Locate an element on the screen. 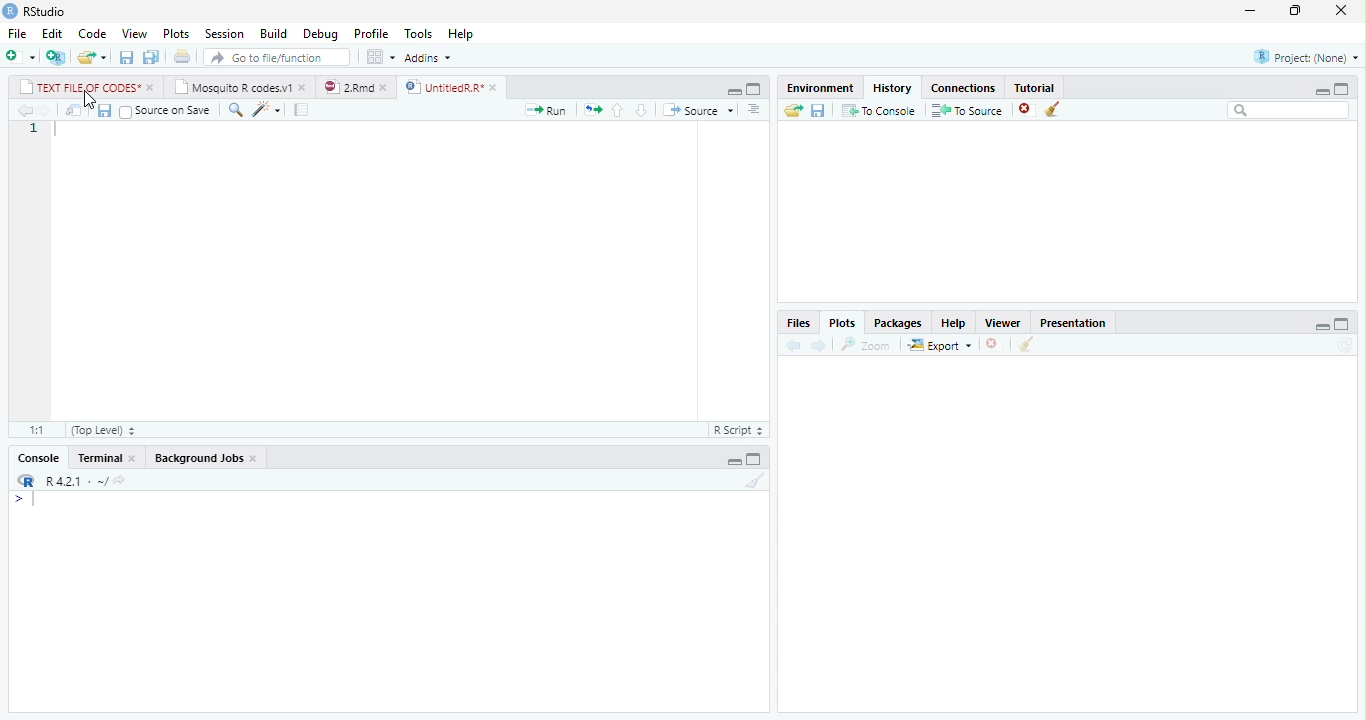 This screenshot has height=720, width=1366. refresh is located at coordinates (1345, 345).